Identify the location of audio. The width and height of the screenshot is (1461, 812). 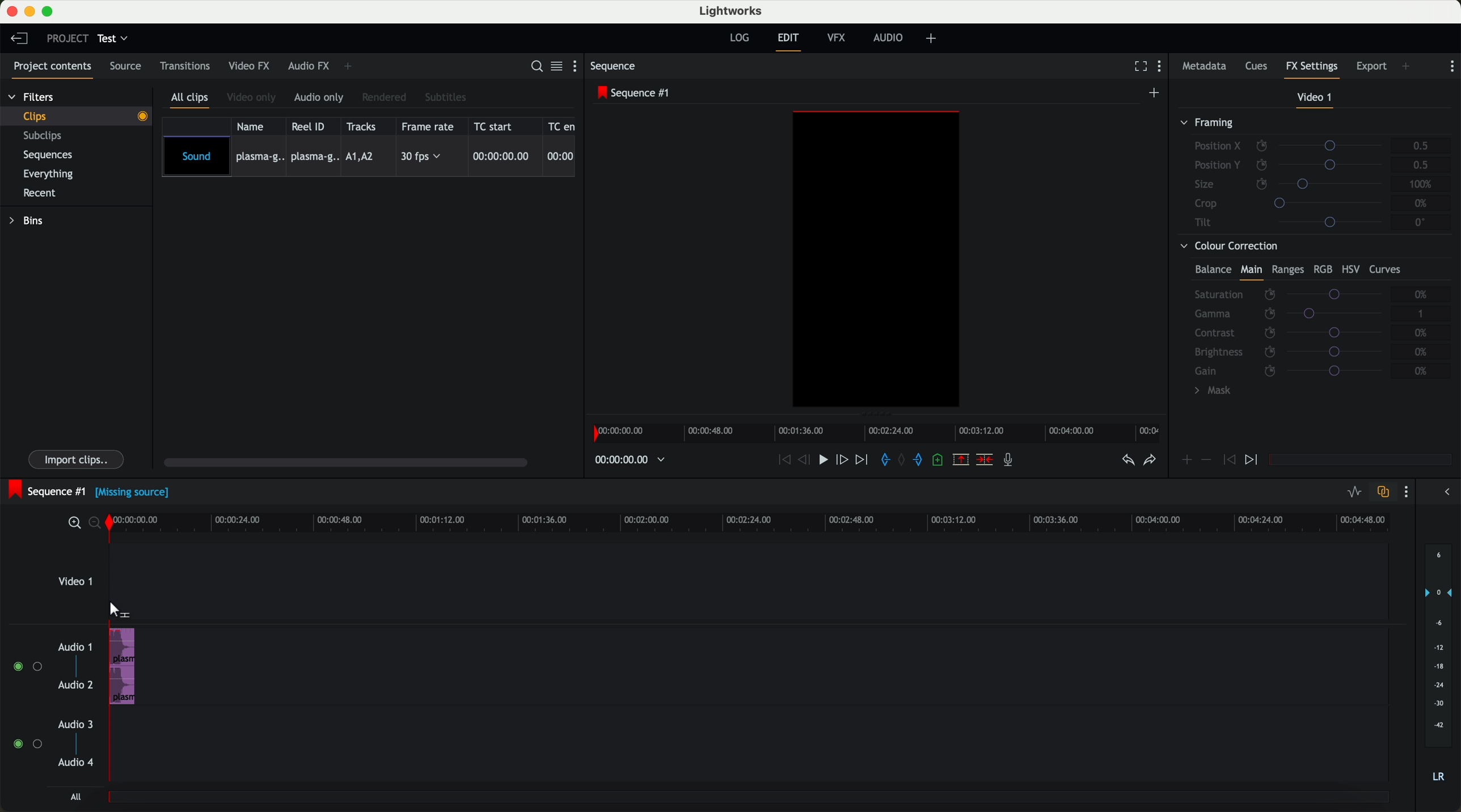
(891, 39).